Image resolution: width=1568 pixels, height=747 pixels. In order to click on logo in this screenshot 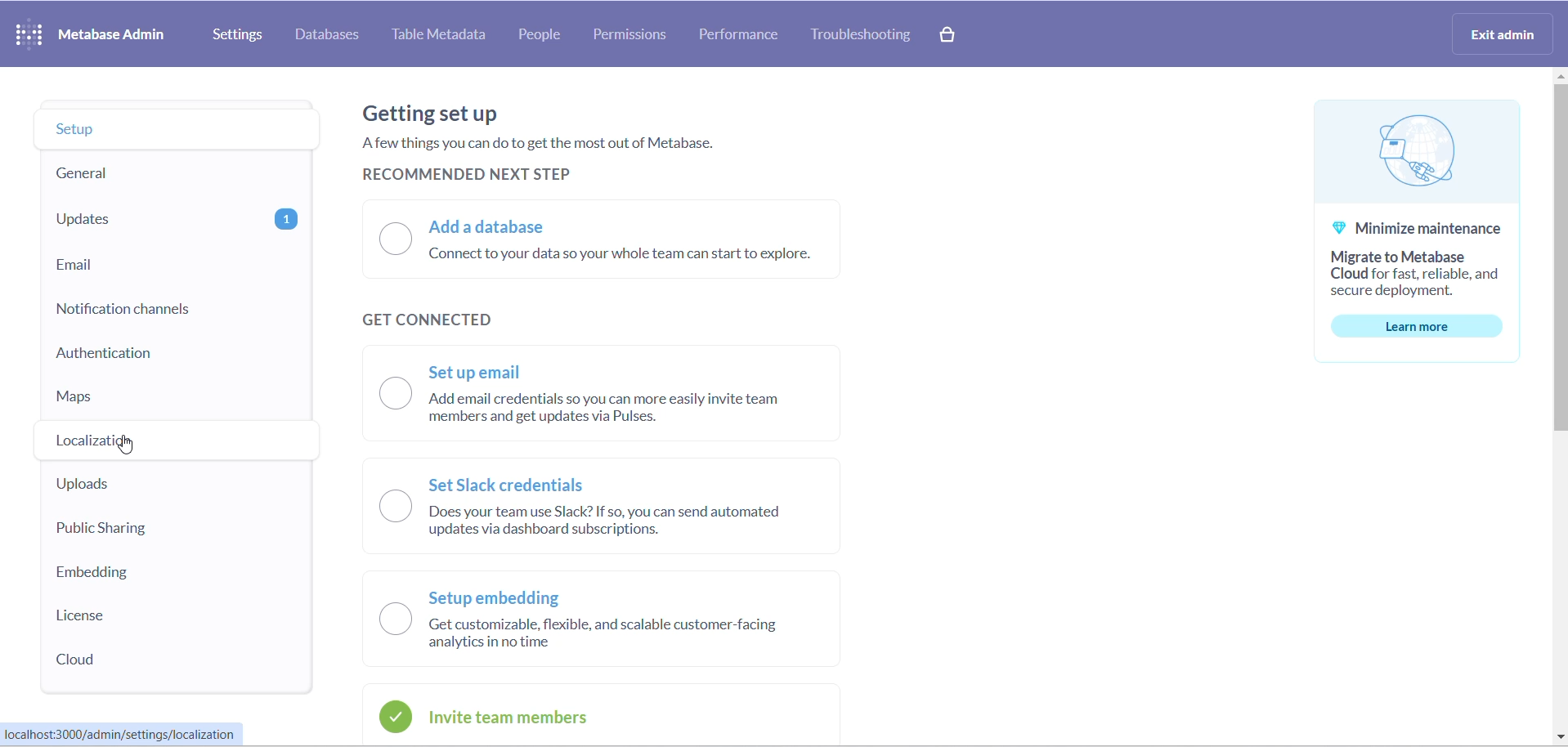, I will do `click(1404, 156)`.